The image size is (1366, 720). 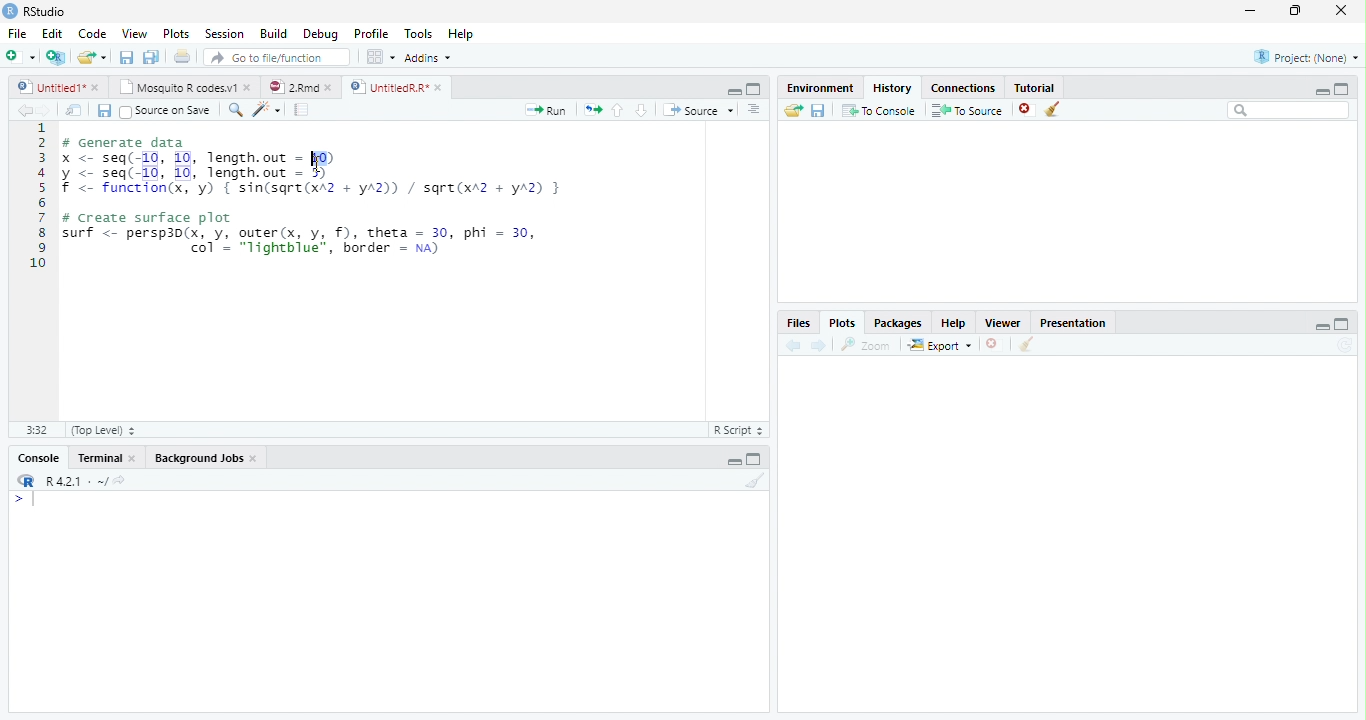 I want to click on New line, so click(x=24, y=502).